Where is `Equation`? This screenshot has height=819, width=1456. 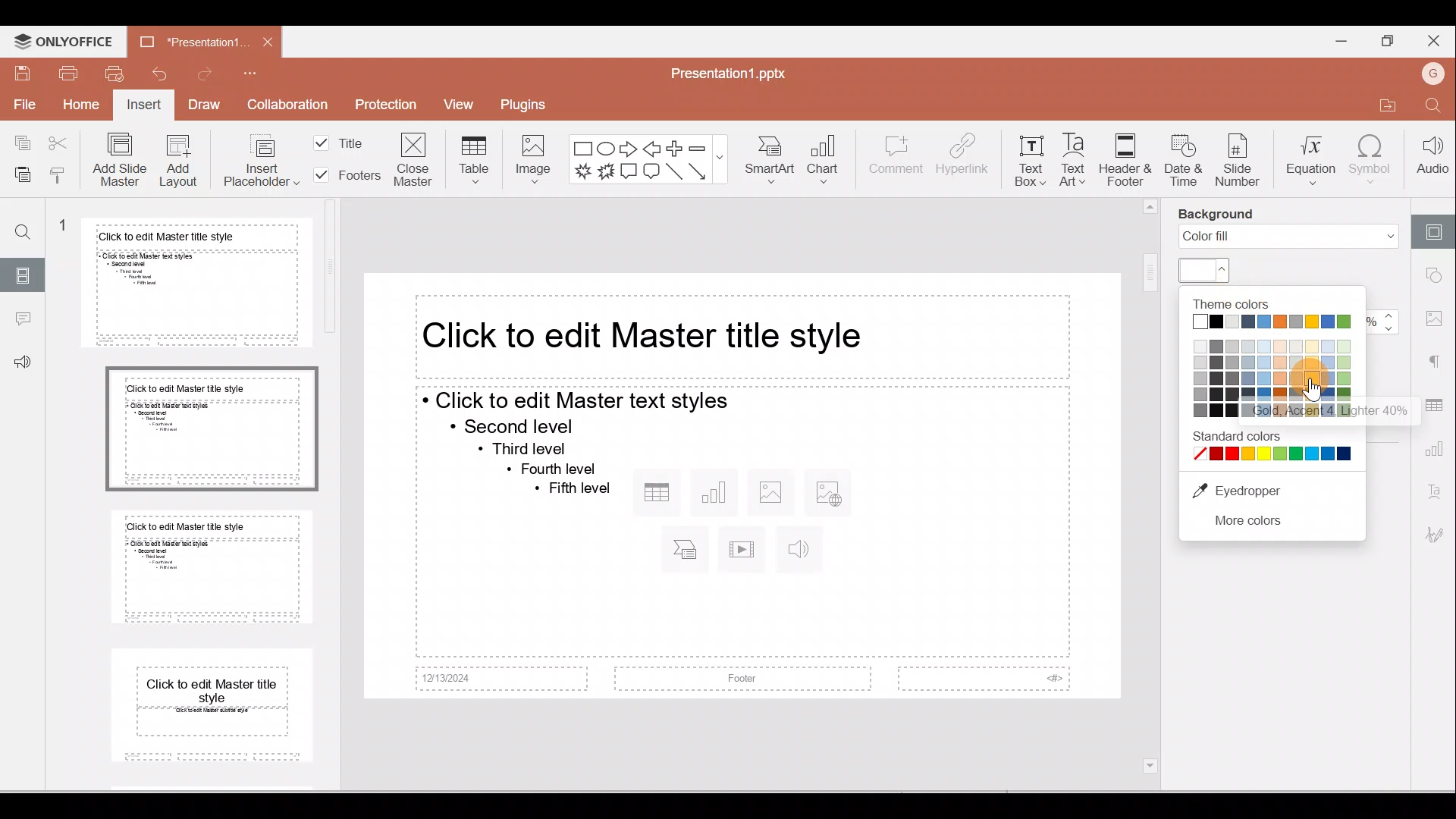 Equation is located at coordinates (1307, 158).